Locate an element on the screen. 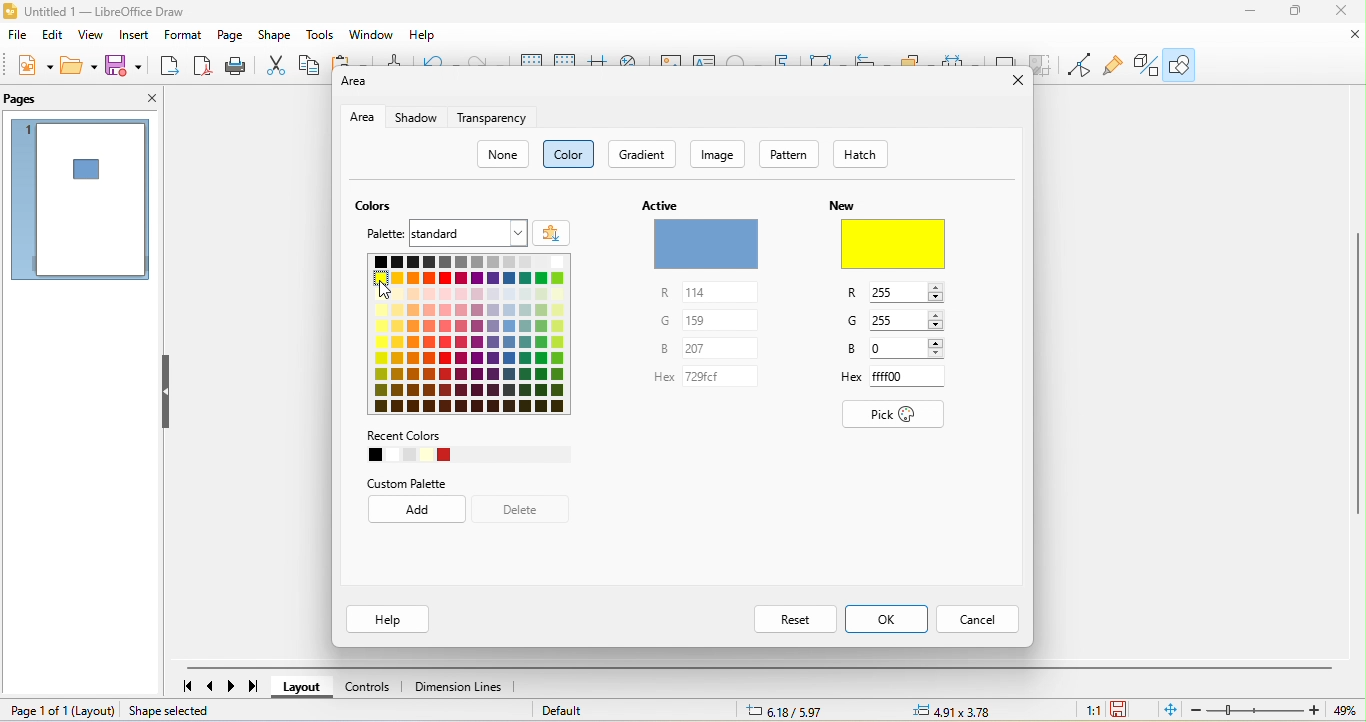  6.18/5.97 is located at coordinates (780, 712).